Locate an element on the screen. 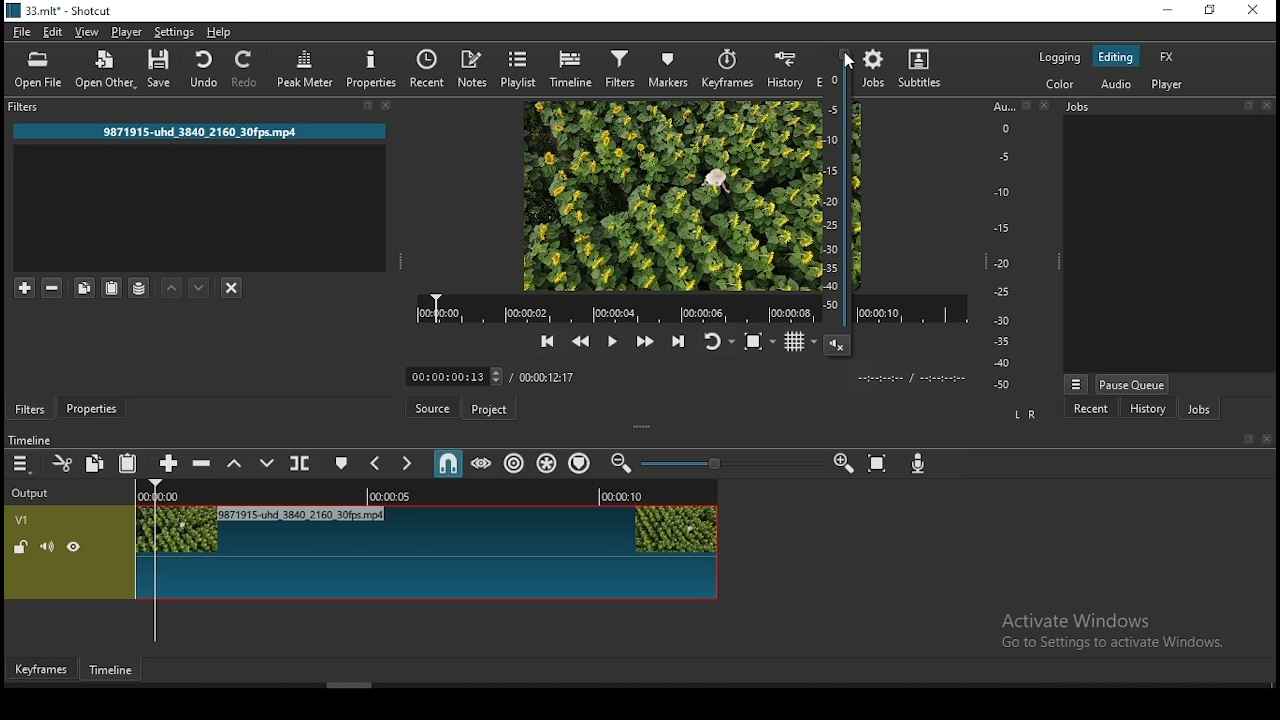  undo is located at coordinates (207, 68).